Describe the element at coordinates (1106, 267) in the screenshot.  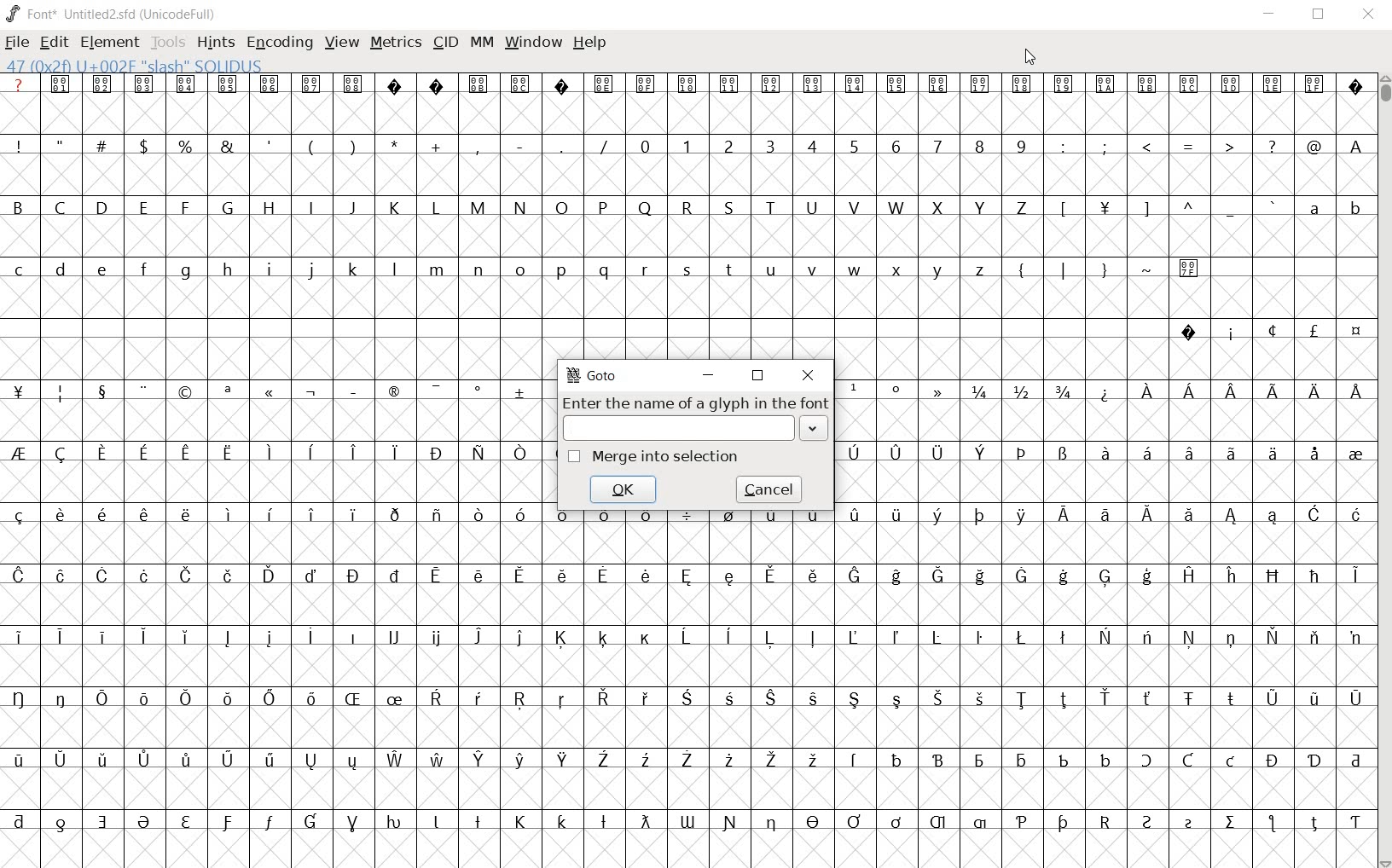
I see `symbols` at that location.